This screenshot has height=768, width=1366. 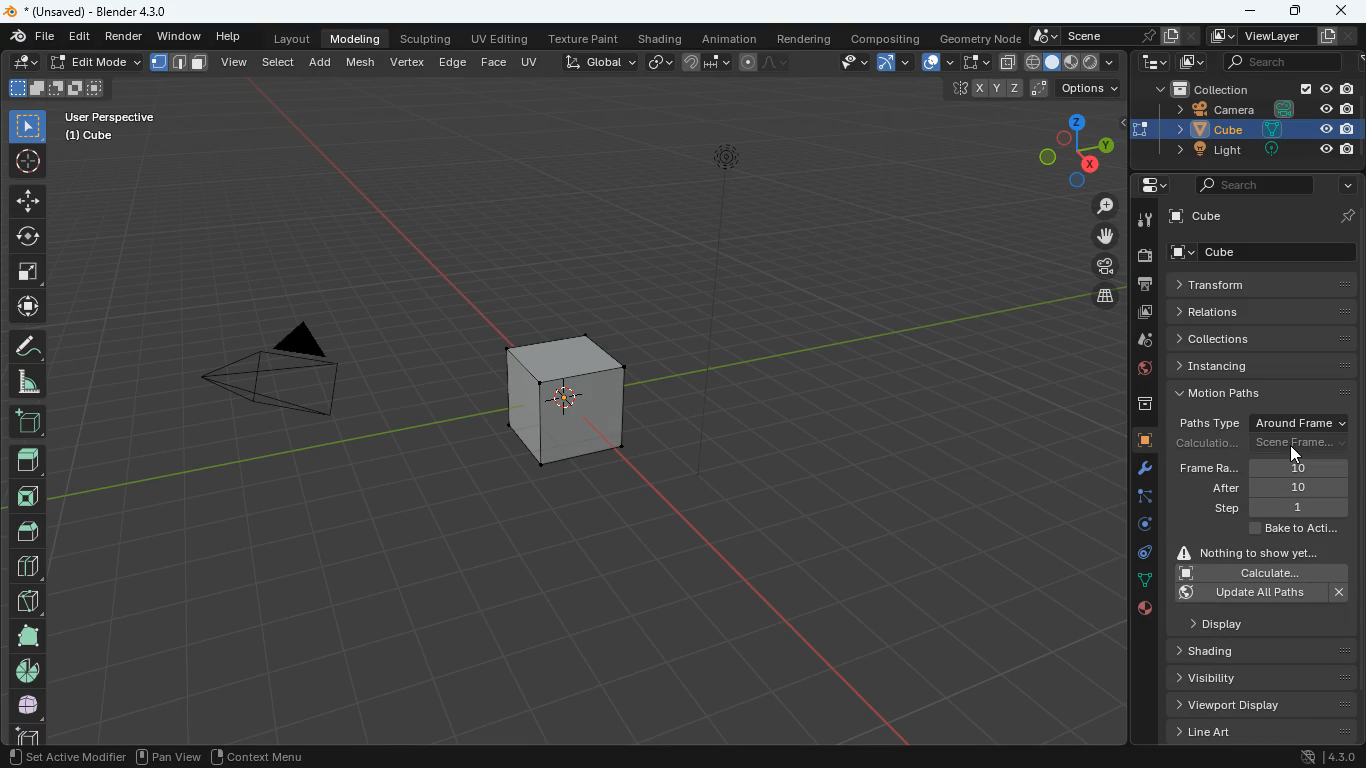 I want to click on print, so click(x=1144, y=285).